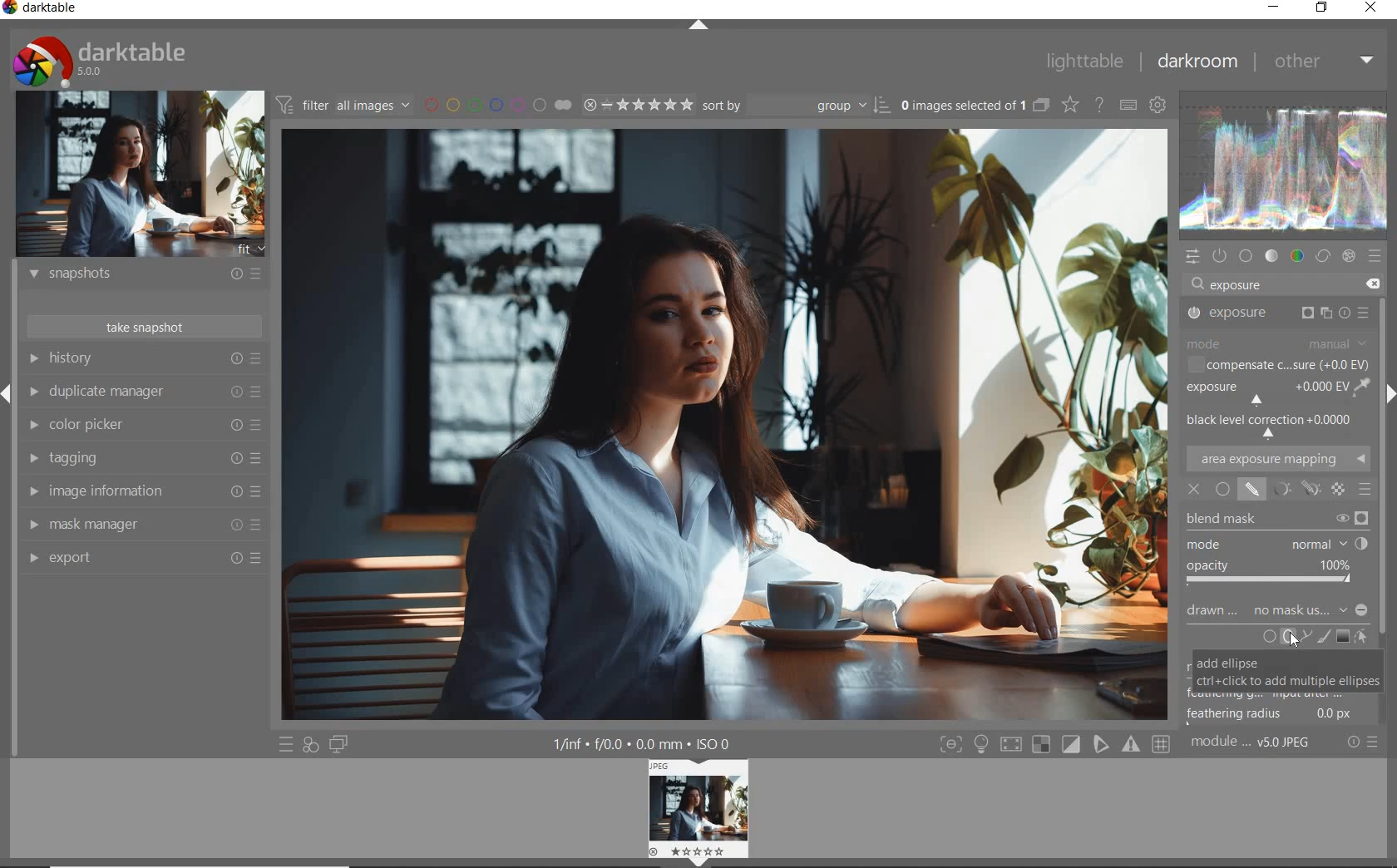  What do you see at coordinates (1276, 545) in the screenshot?
I see `MODE` at bounding box center [1276, 545].